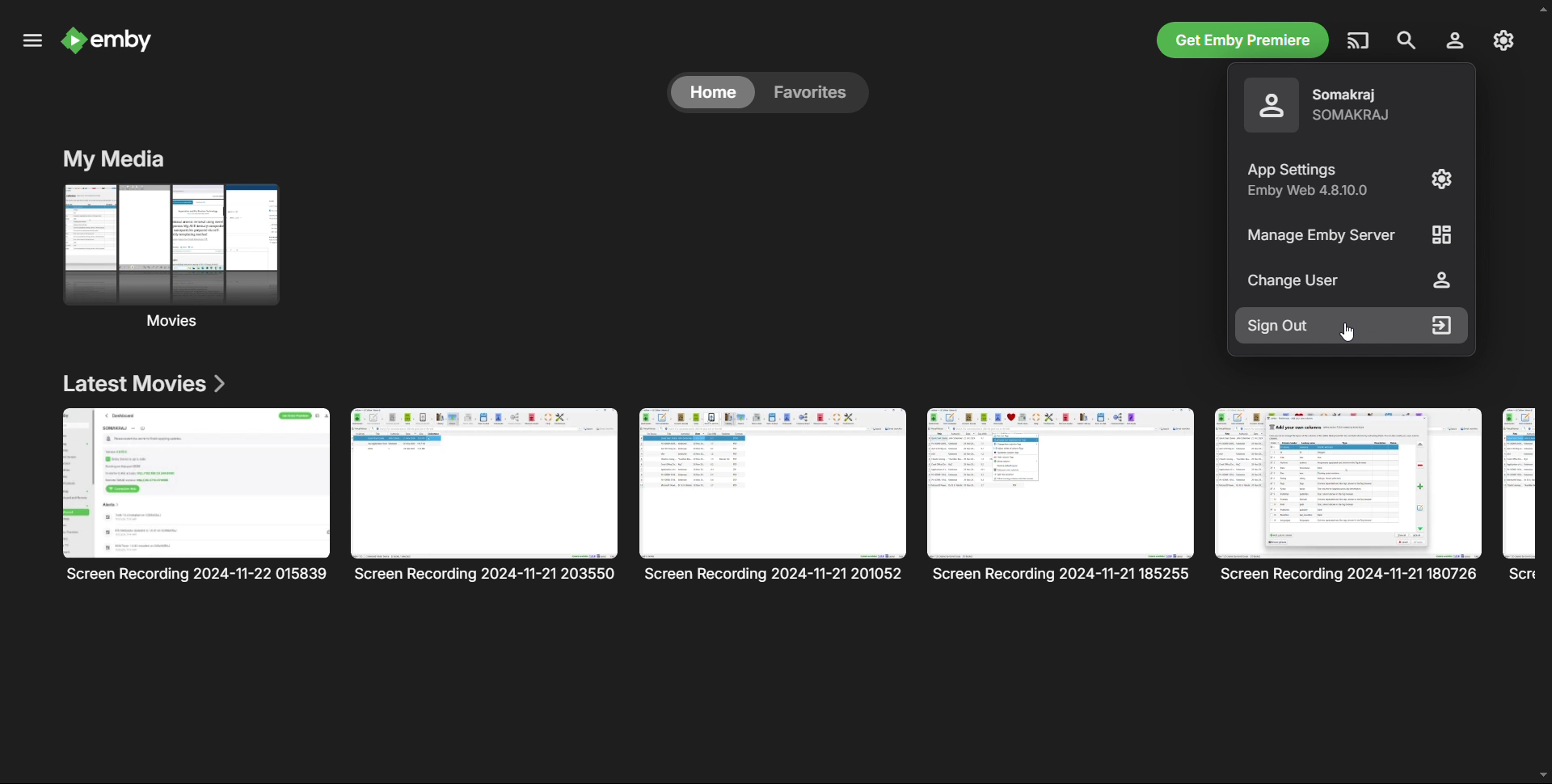 The image size is (1552, 784). Describe the element at coordinates (1351, 104) in the screenshot. I see `profile name` at that location.